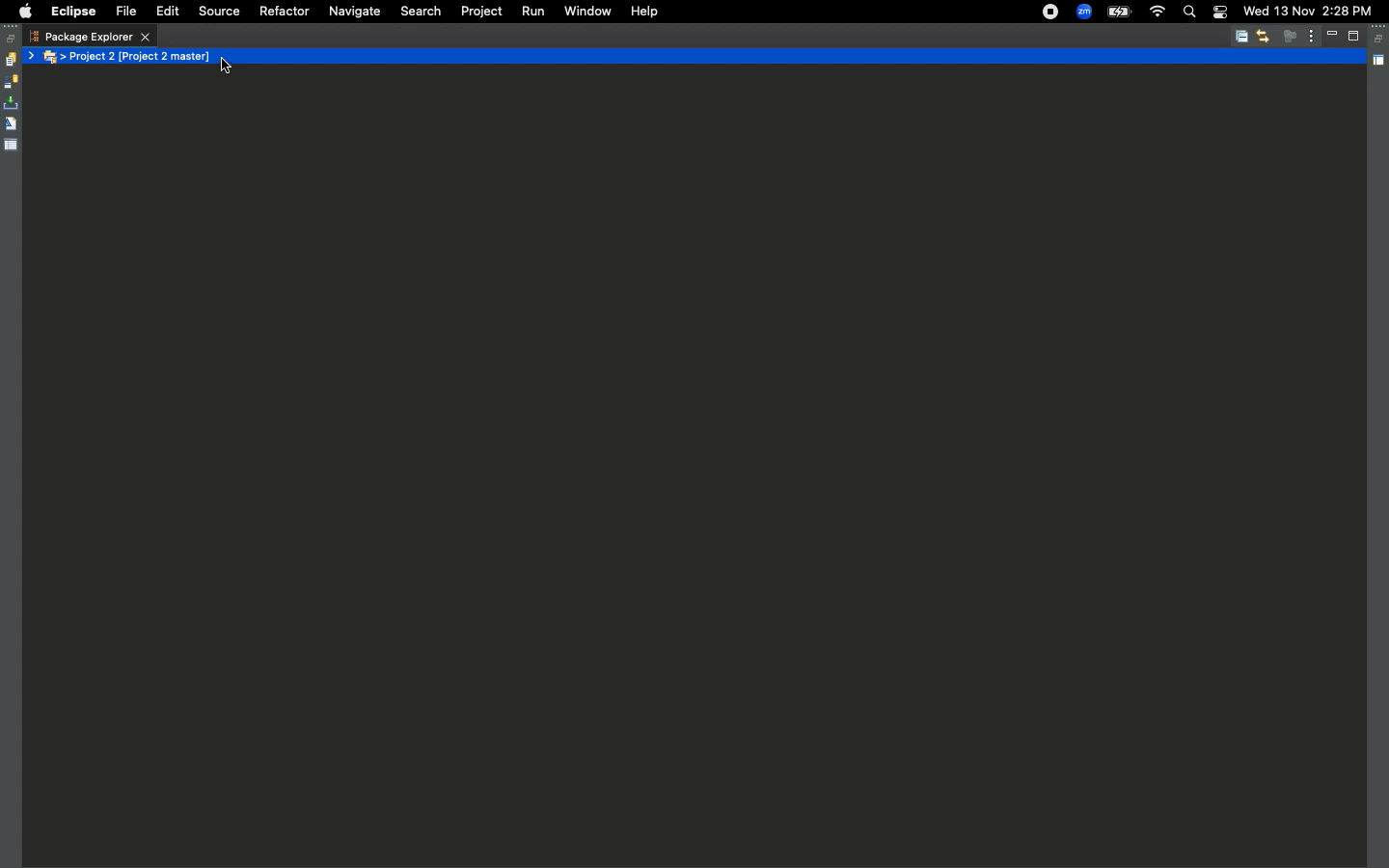 The width and height of the screenshot is (1389, 868). I want to click on Focus on active task, so click(1290, 36).